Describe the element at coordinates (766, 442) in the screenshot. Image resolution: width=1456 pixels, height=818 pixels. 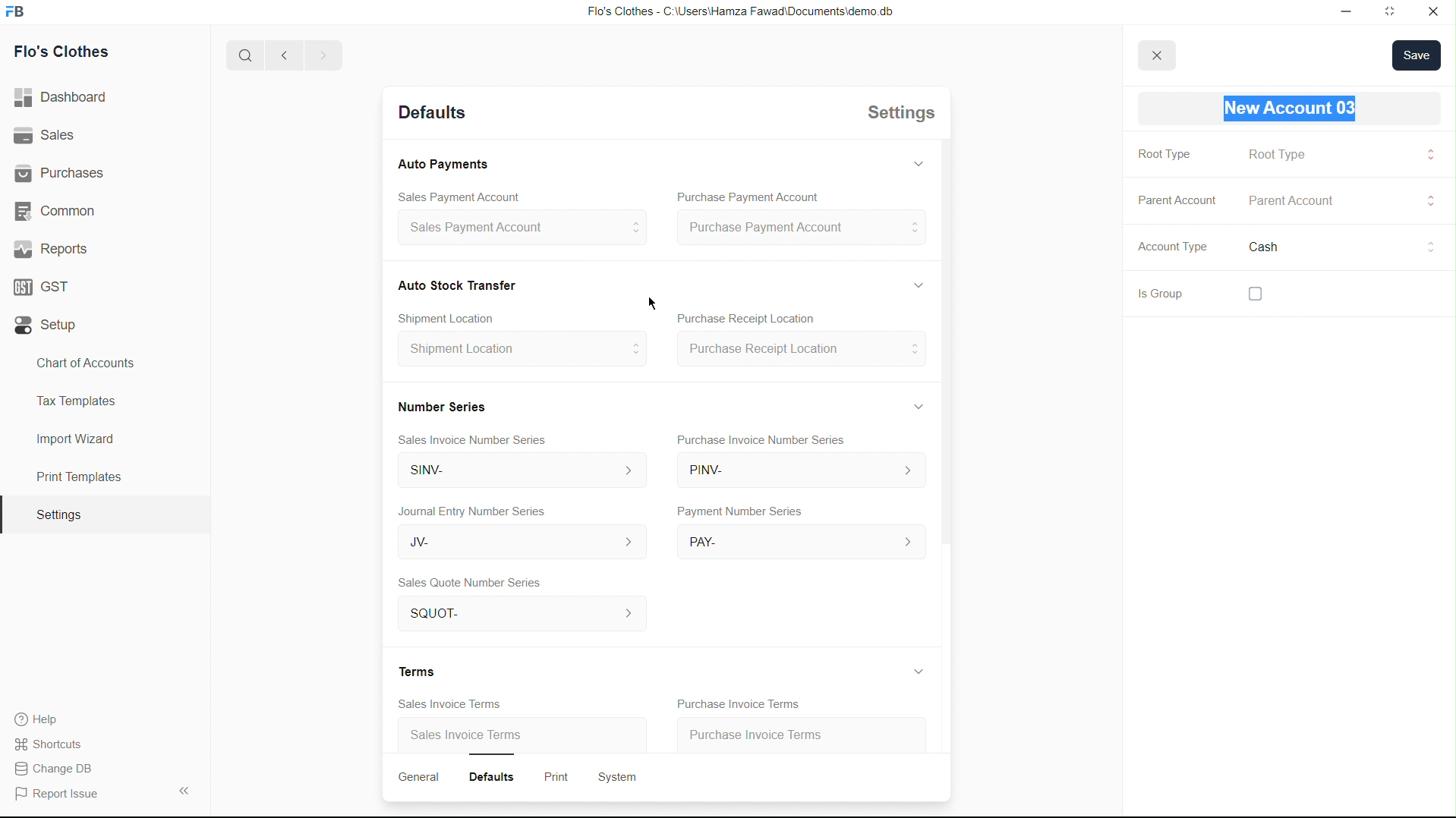
I see `Purchase Invoice Number Series` at that location.